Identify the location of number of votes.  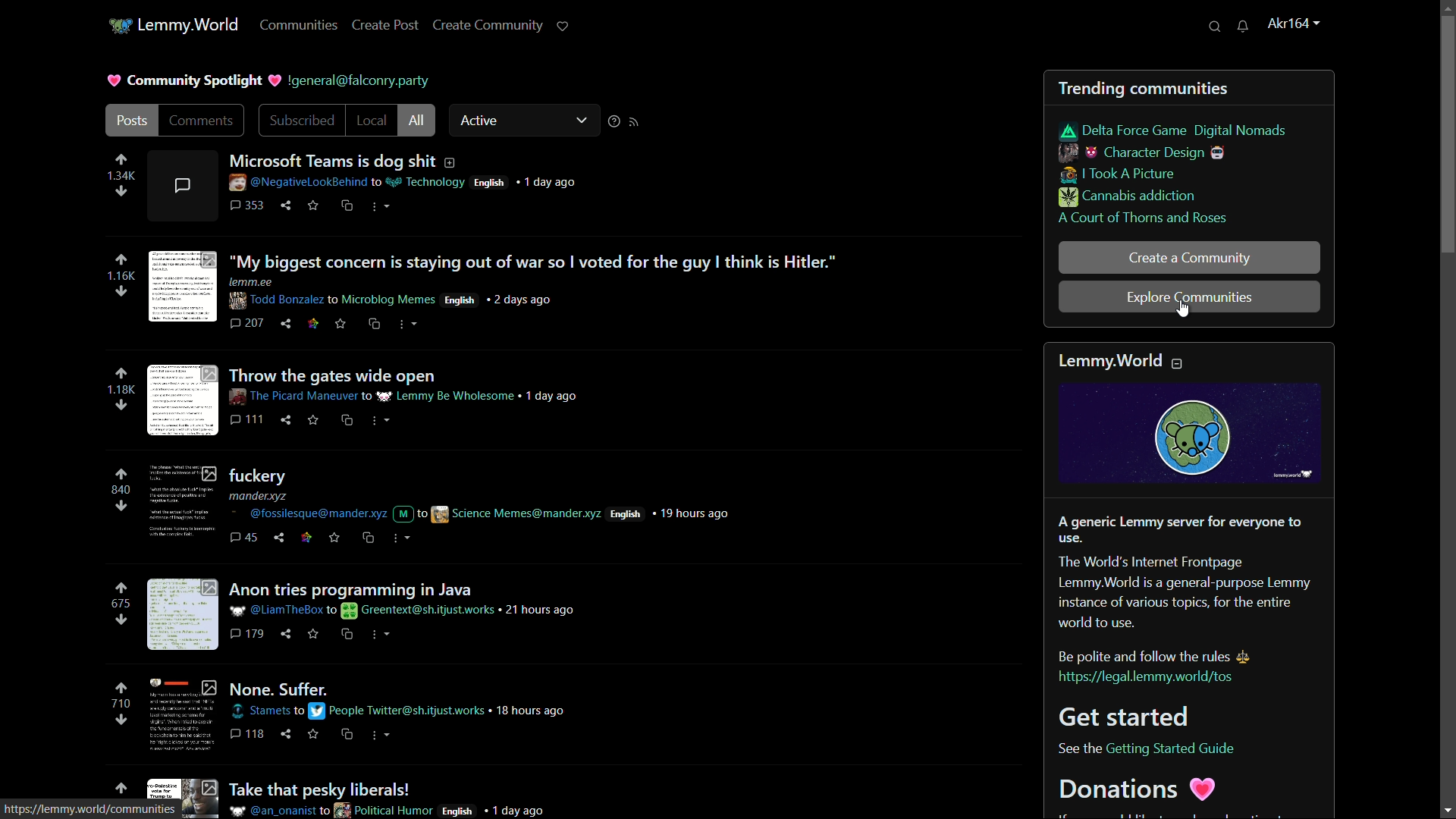
(119, 275).